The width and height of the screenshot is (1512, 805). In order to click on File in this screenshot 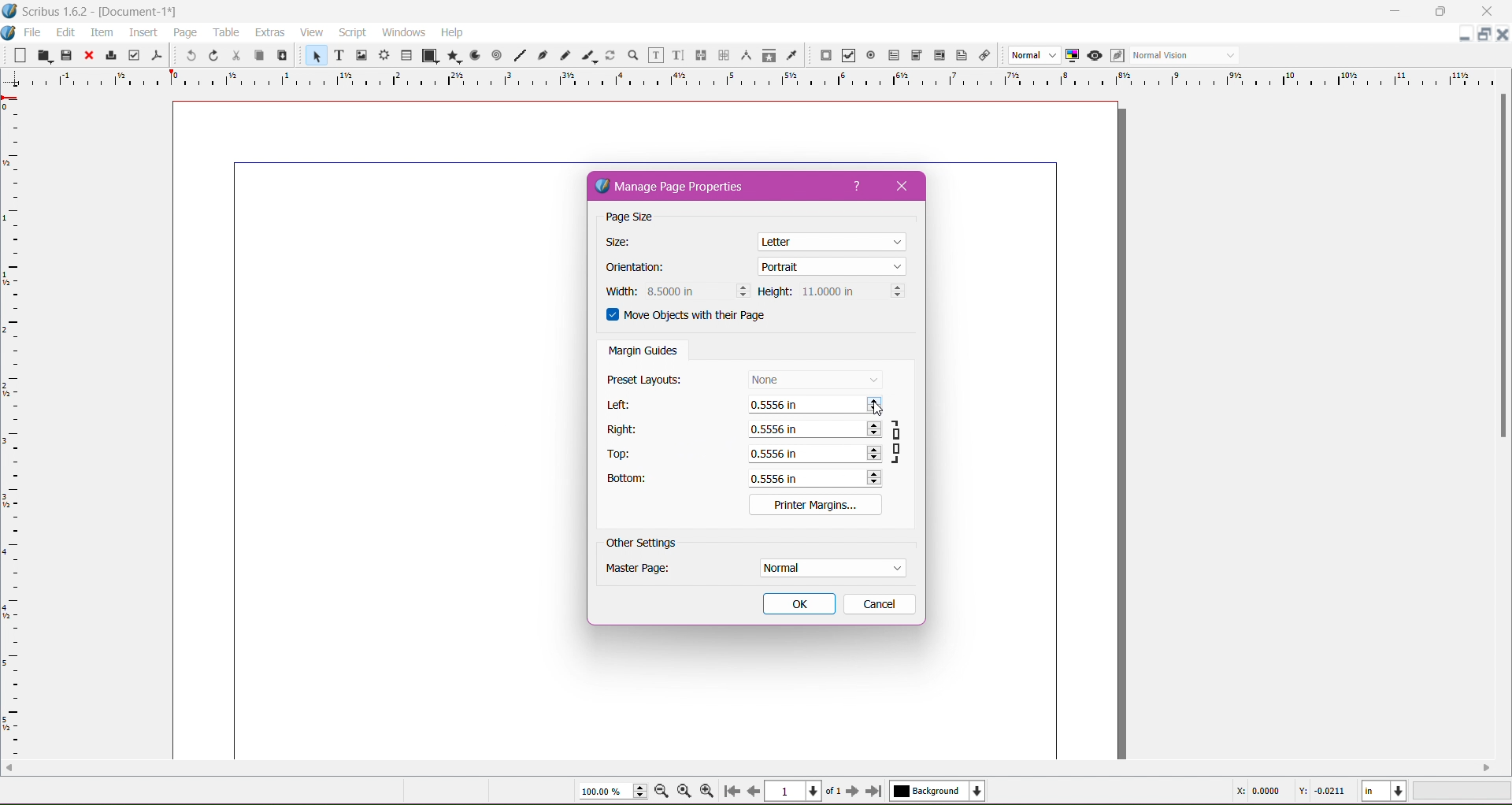, I will do `click(34, 32)`.